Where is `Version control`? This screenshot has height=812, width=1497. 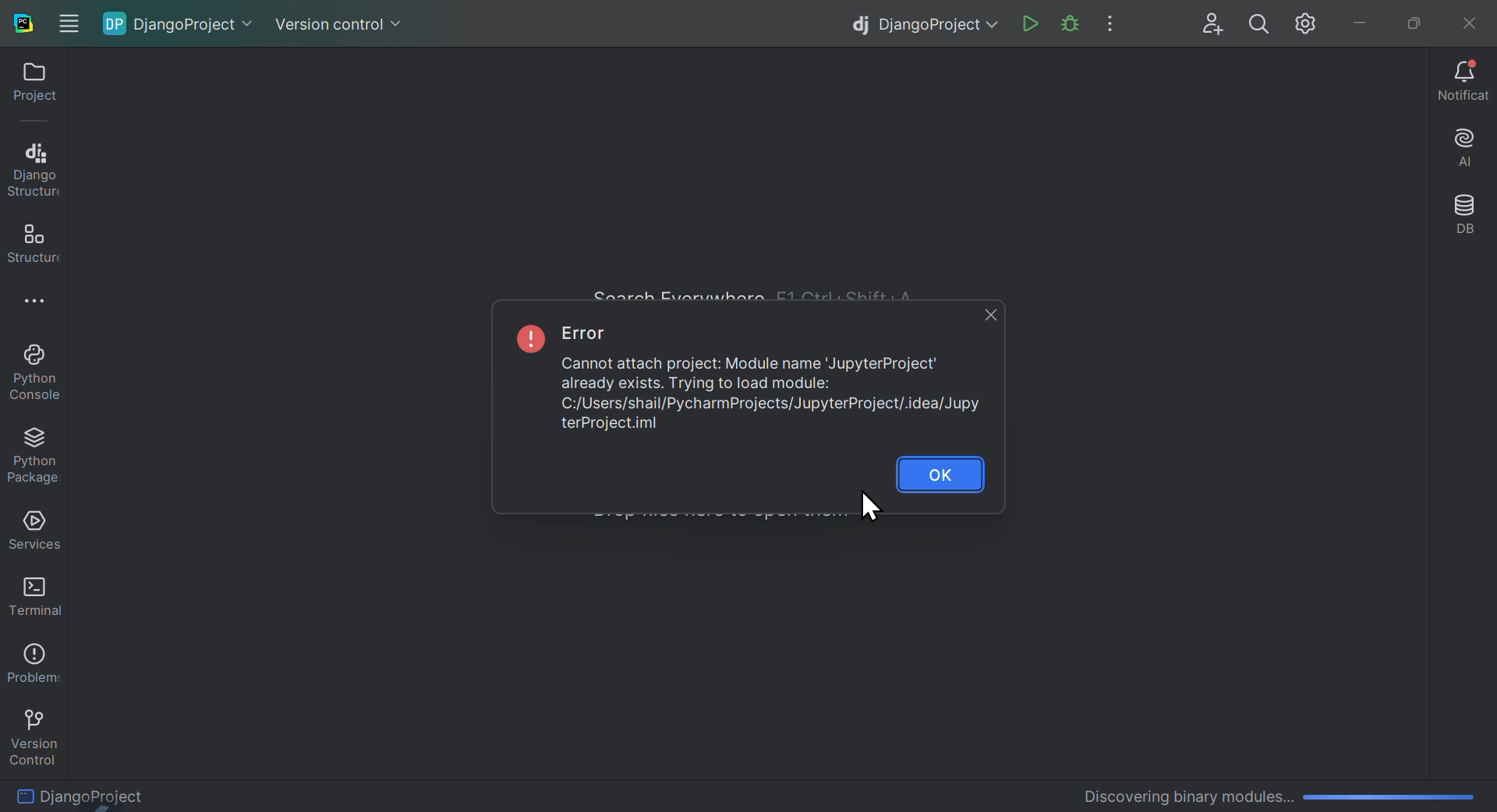 Version control is located at coordinates (340, 19).